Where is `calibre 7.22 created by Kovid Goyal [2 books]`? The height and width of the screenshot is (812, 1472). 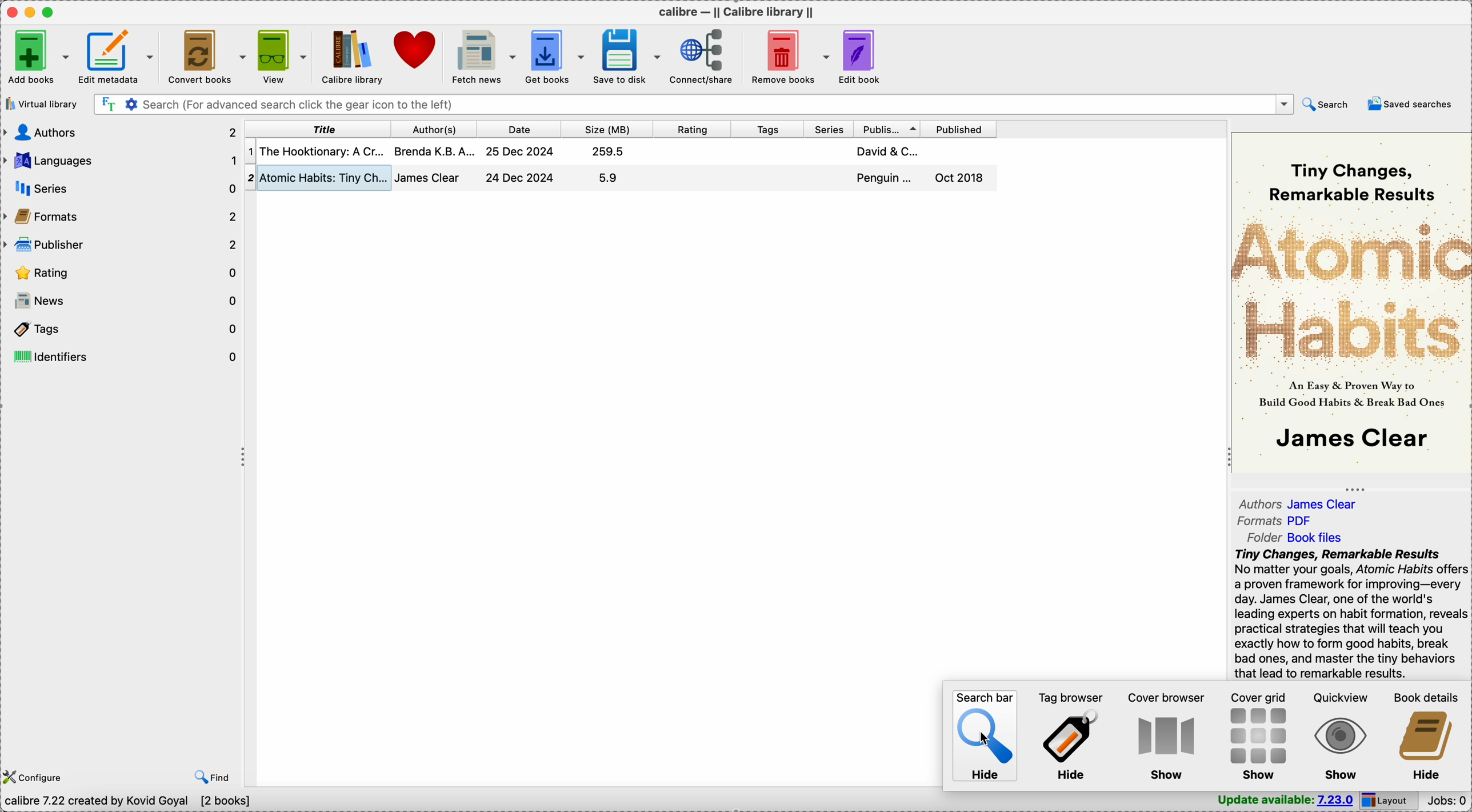 calibre 7.22 created by Kovid Goyal [2 books] is located at coordinates (129, 803).